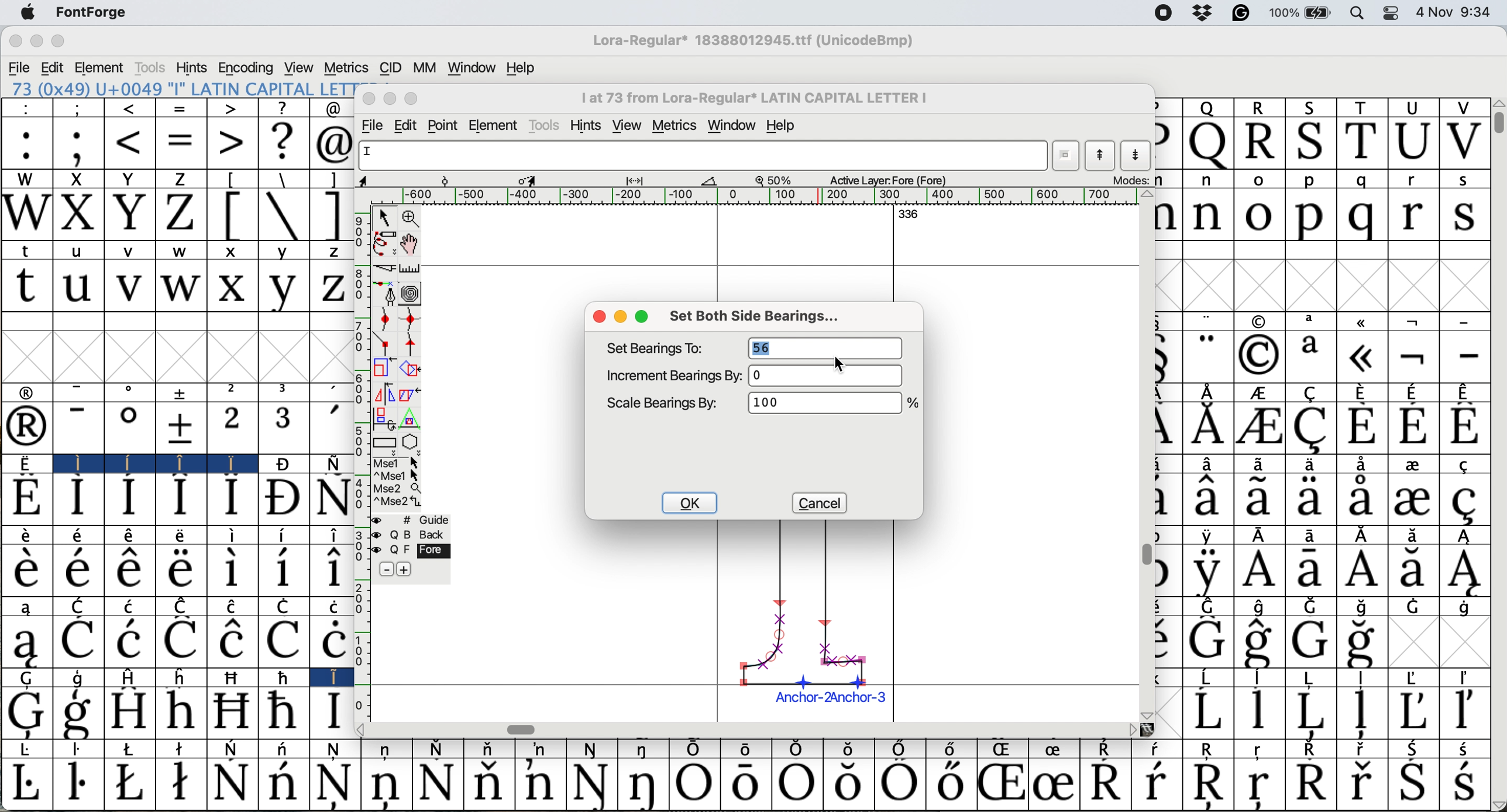  What do you see at coordinates (330, 571) in the screenshot?
I see `Symbol` at bounding box center [330, 571].